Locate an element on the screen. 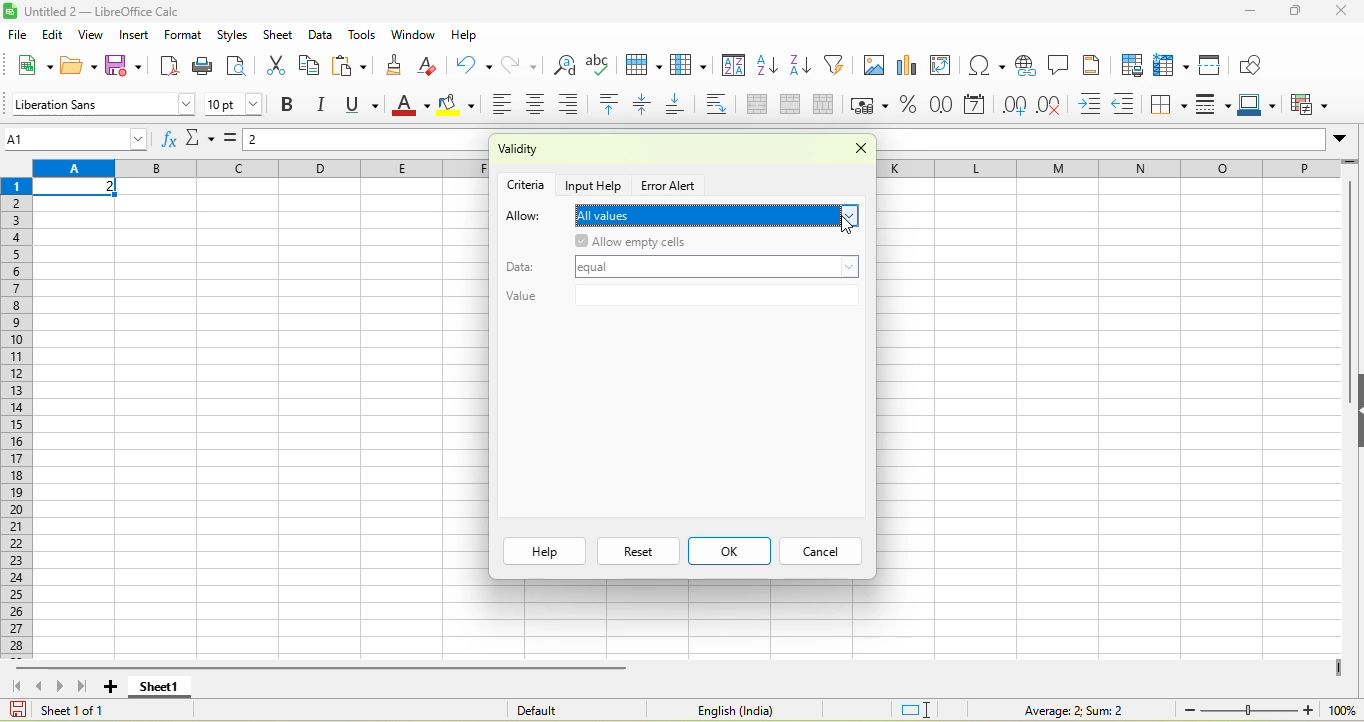 This screenshot has height=722, width=1364. show draw function is located at coordinates (1253, 64).